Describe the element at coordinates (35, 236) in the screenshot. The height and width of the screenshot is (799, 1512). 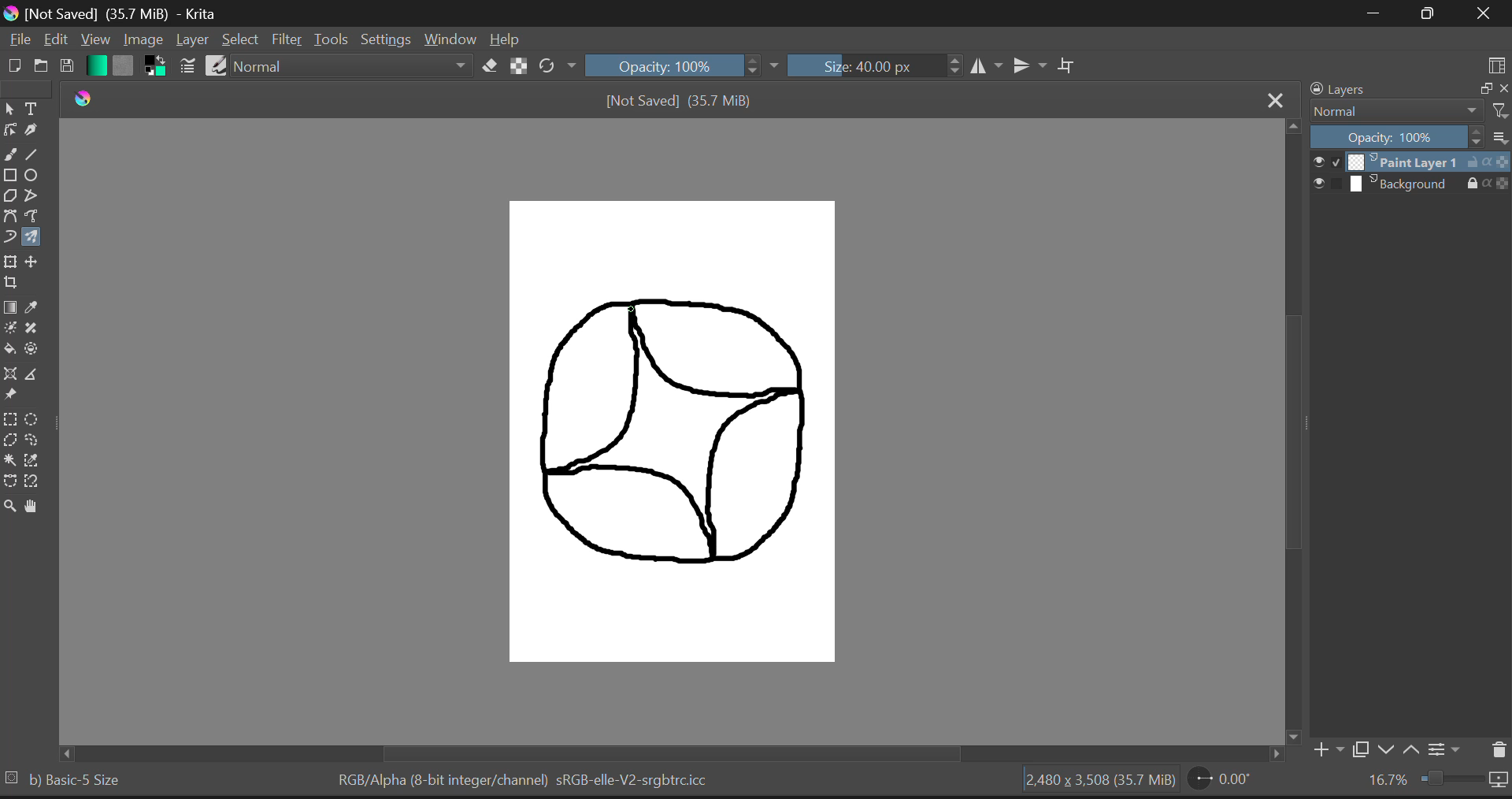
I see `Multibrush Tool Selected` at that location.